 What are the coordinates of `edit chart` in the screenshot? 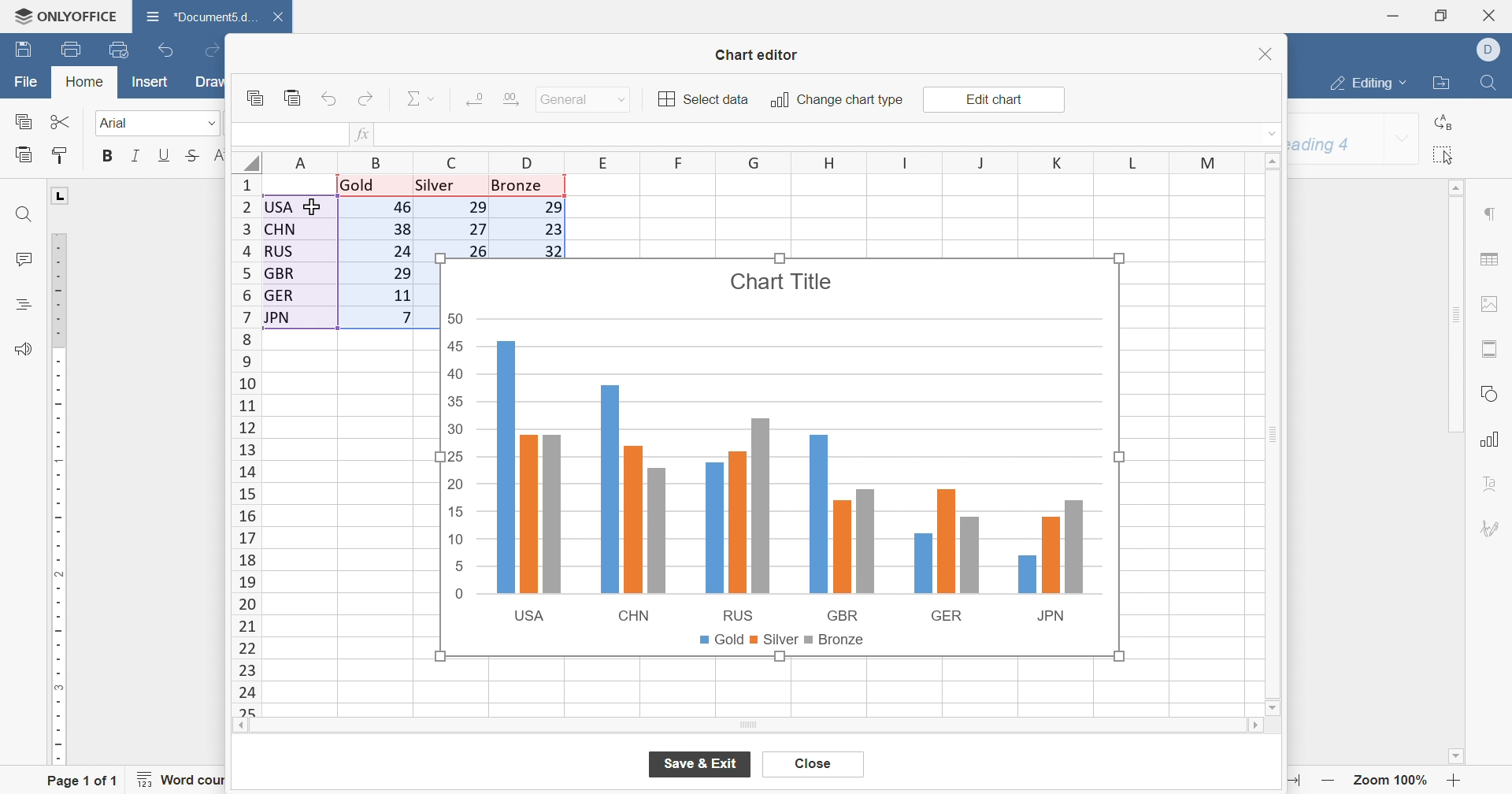 It's located at (992, 100).